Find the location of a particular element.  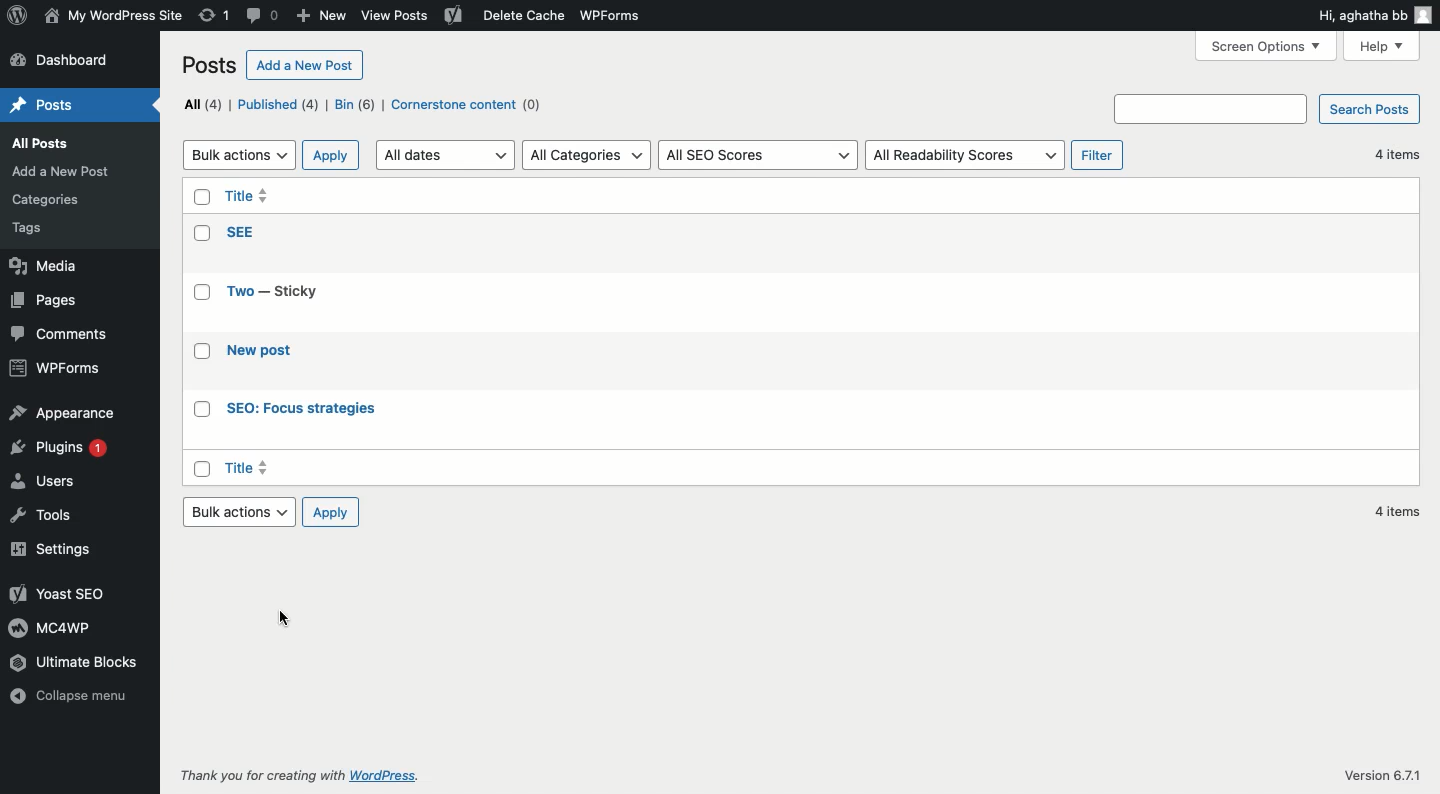

cursor is located at coordinates (287, 620).